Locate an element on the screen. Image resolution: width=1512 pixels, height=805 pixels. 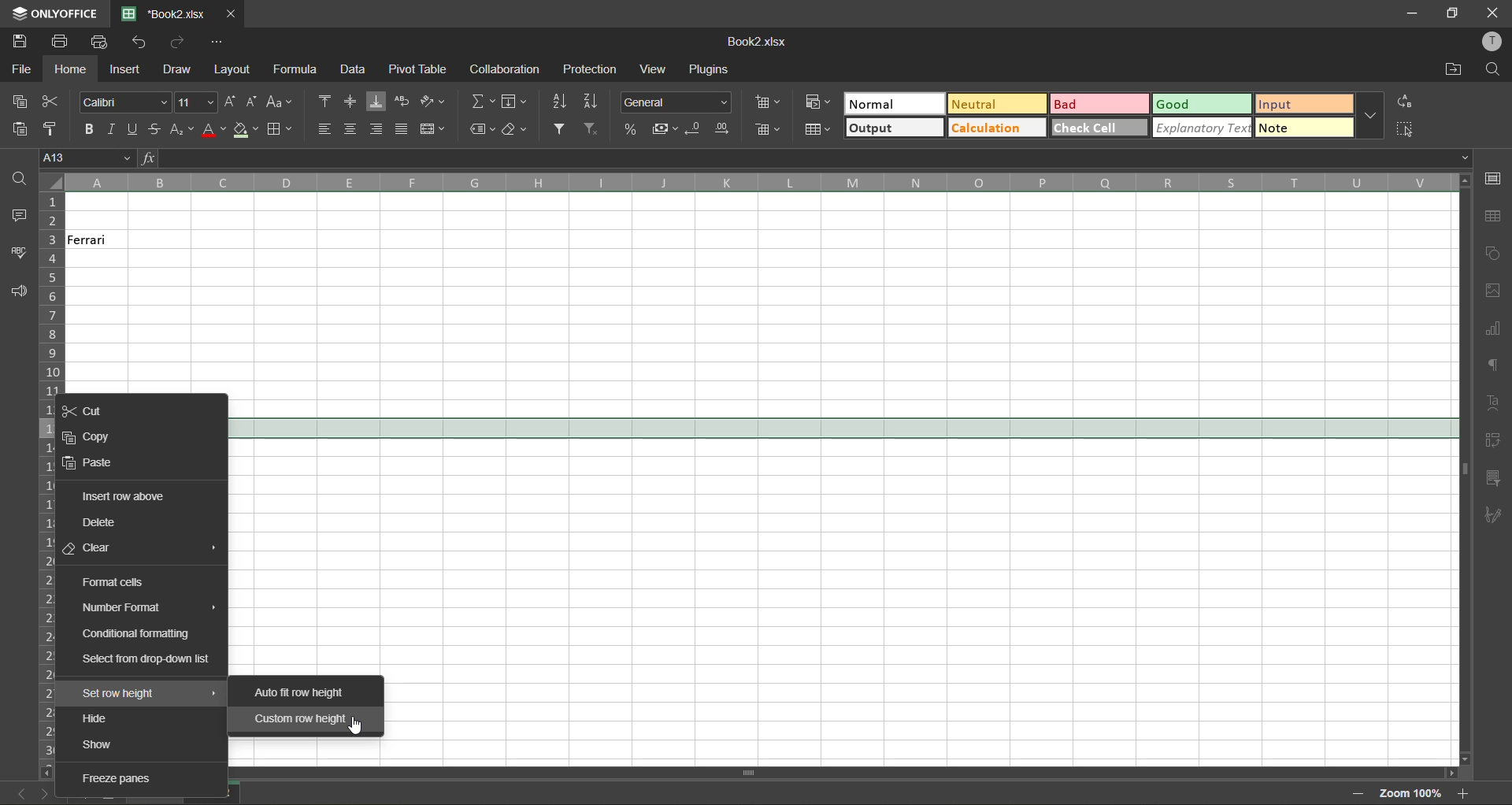
borders is located at coordinates (278, 130).